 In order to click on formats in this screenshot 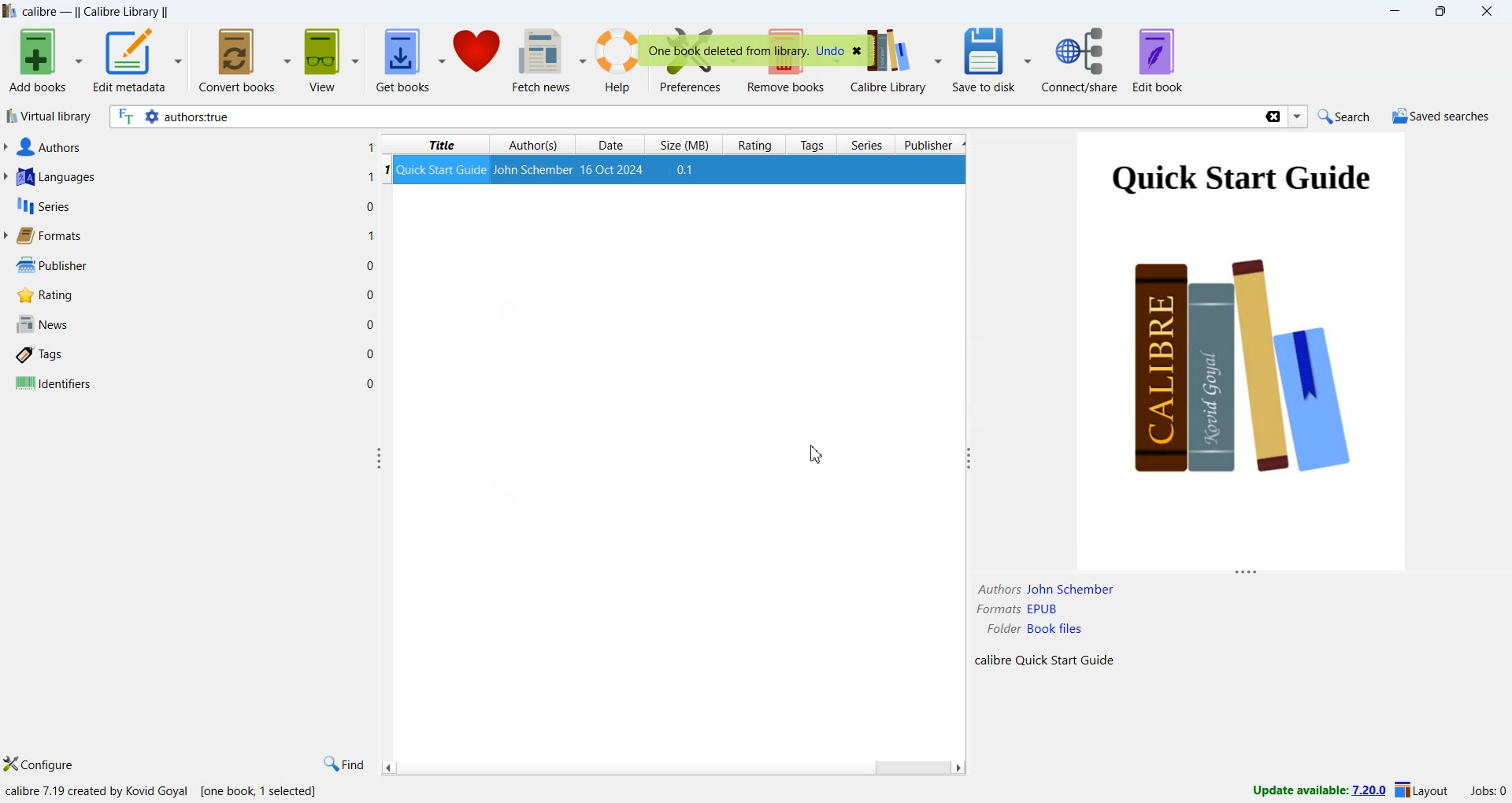, I will do `click(48, 236)`.